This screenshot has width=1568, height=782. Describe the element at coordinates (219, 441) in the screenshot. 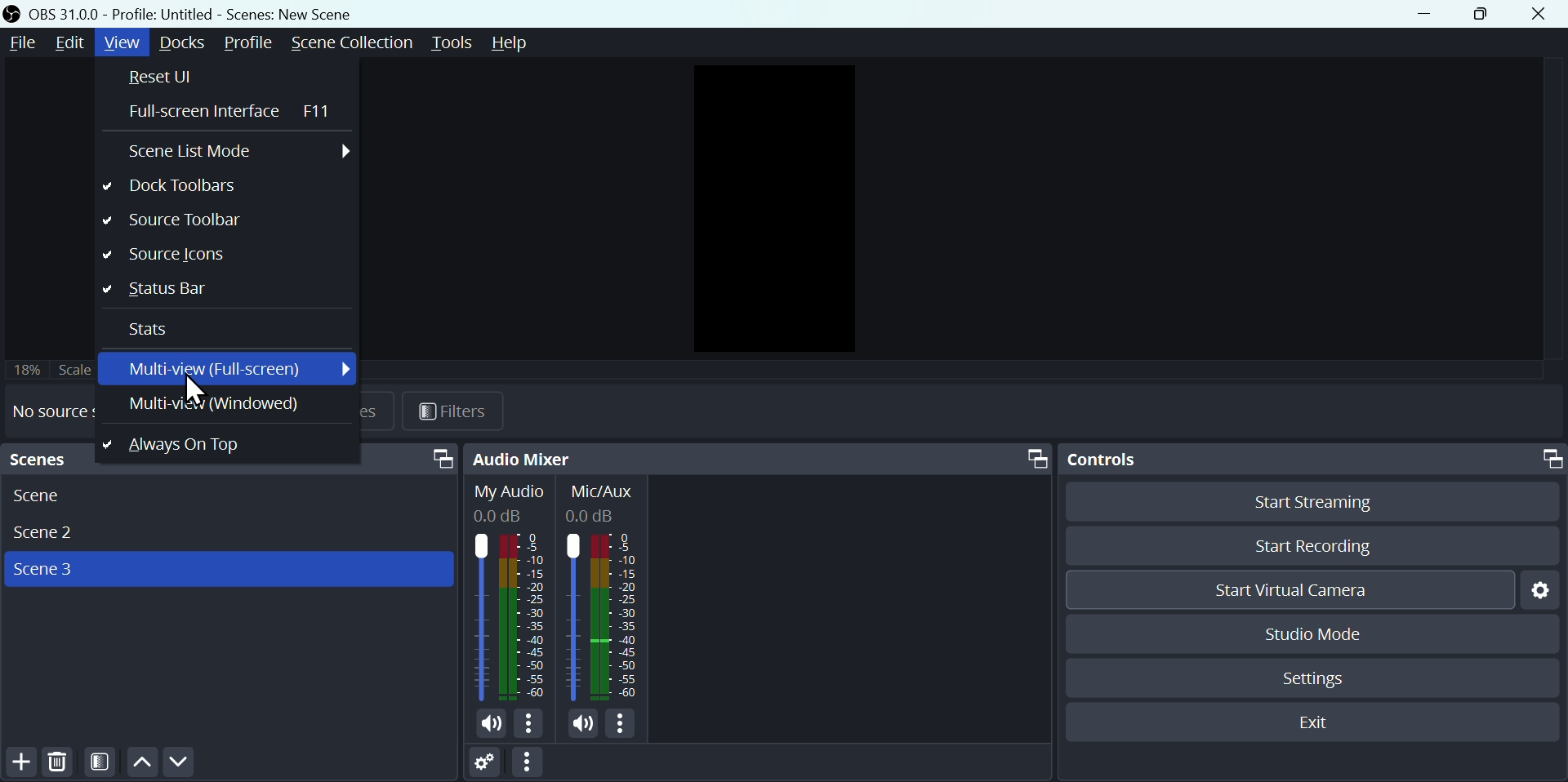

I see `Always on top` at that location.